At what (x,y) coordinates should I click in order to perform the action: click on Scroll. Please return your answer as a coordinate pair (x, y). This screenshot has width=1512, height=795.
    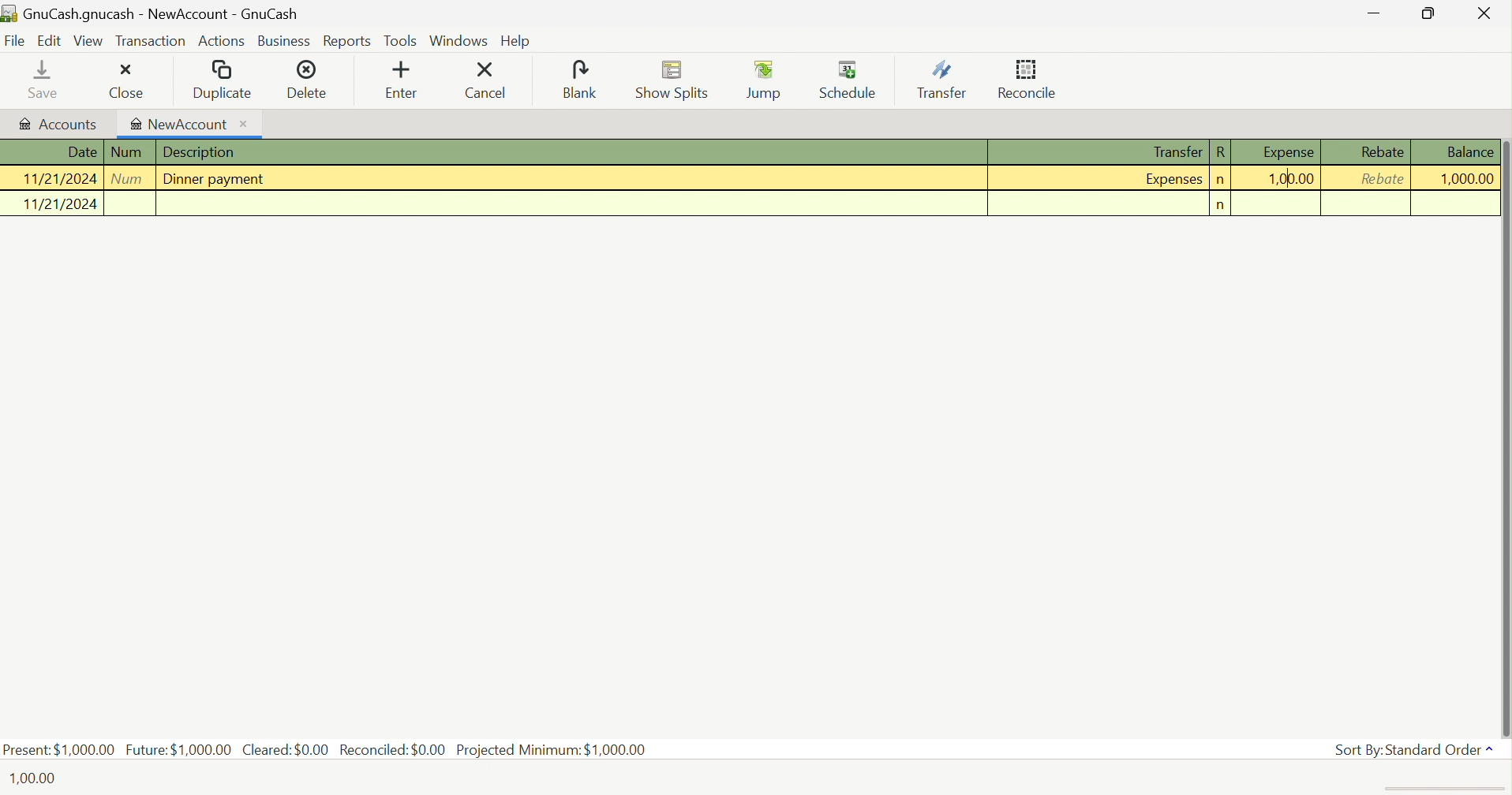
    Looking at the image, I should click on (1505, 423).